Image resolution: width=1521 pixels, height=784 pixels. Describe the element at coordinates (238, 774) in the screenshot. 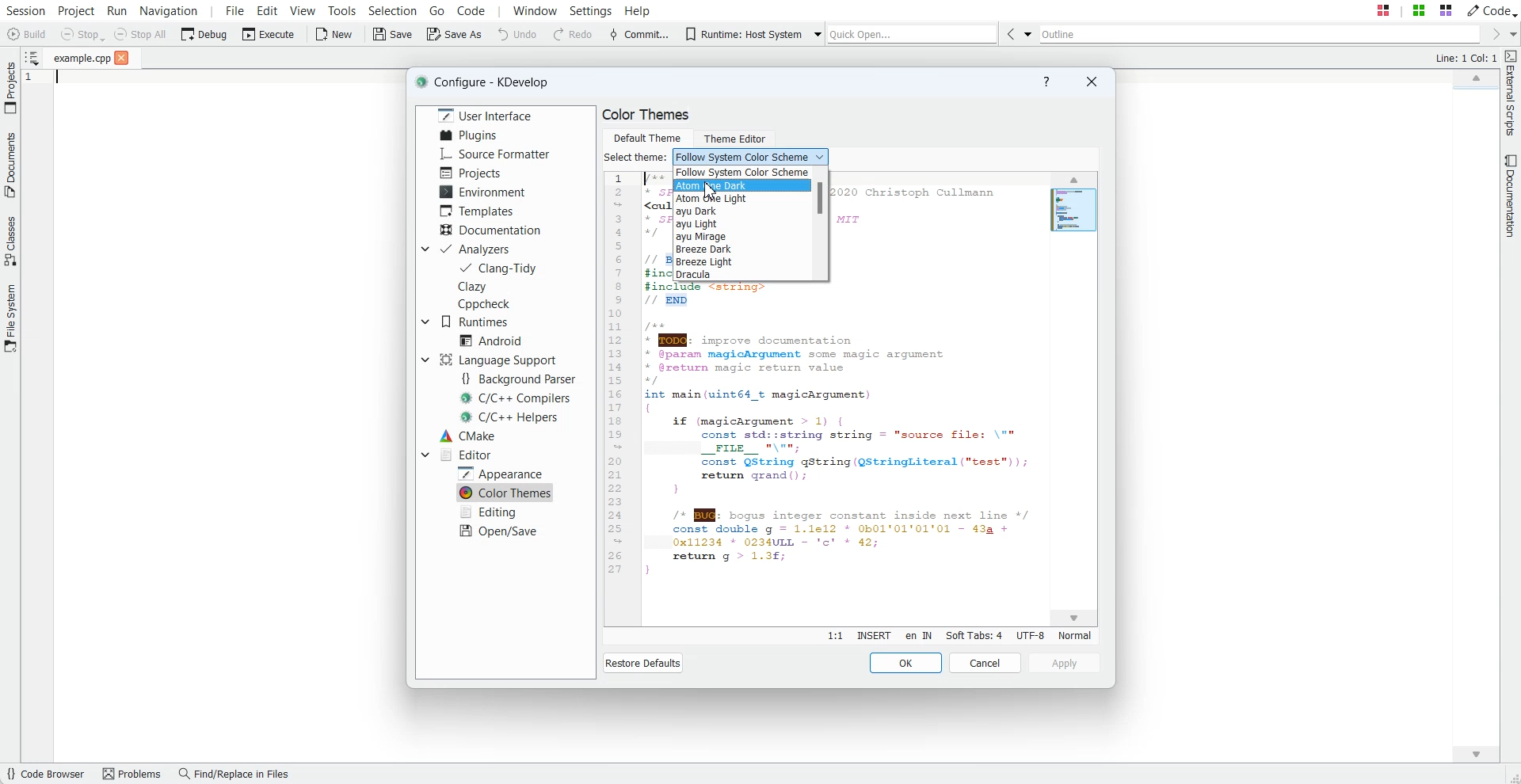

I see `Find/Replace in files` at that location.